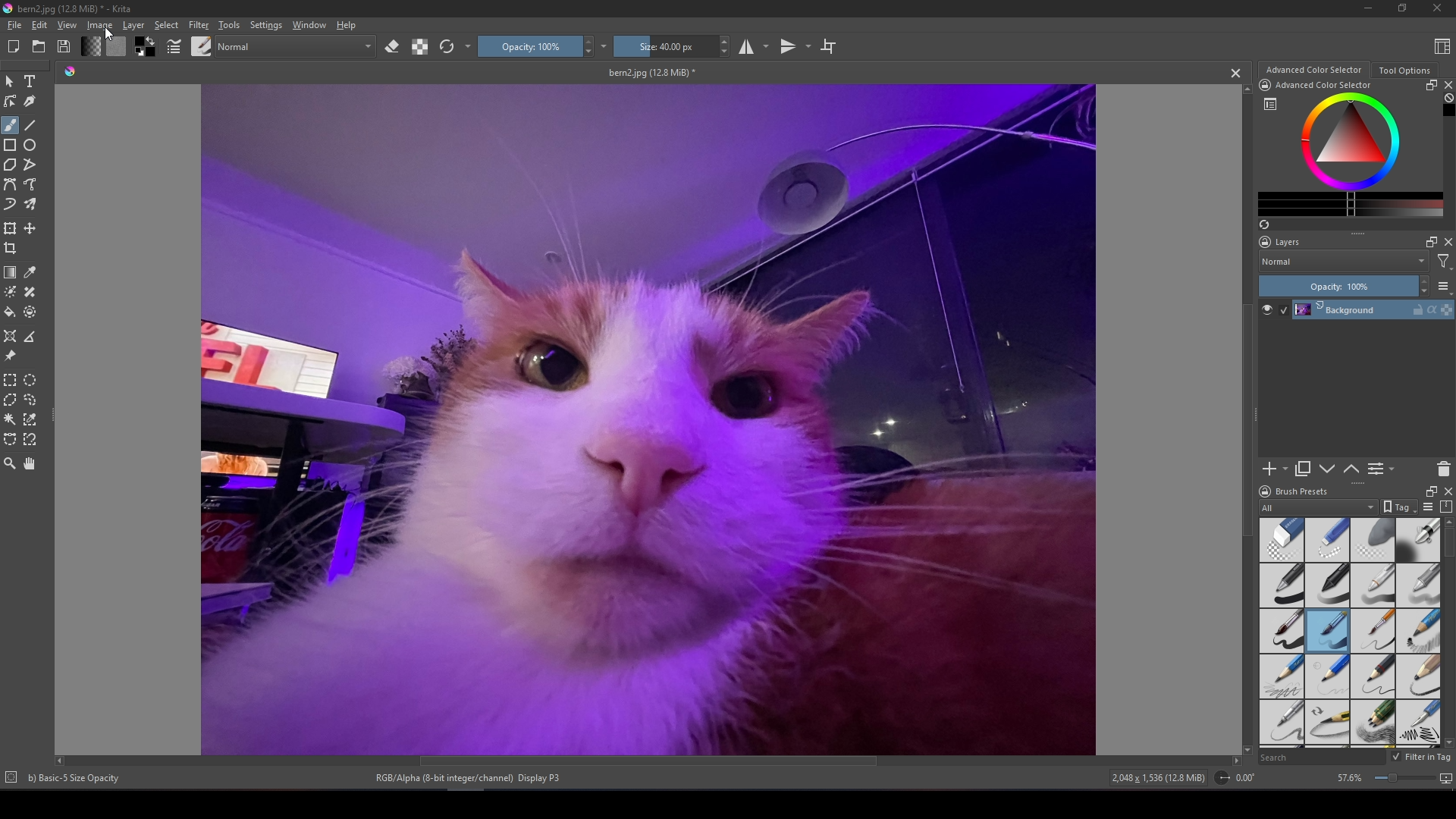  What do you see at coordinates (752, 46) in the screenshot?
I see `Horizontal mirror tool` at bounding box center [752, 46].